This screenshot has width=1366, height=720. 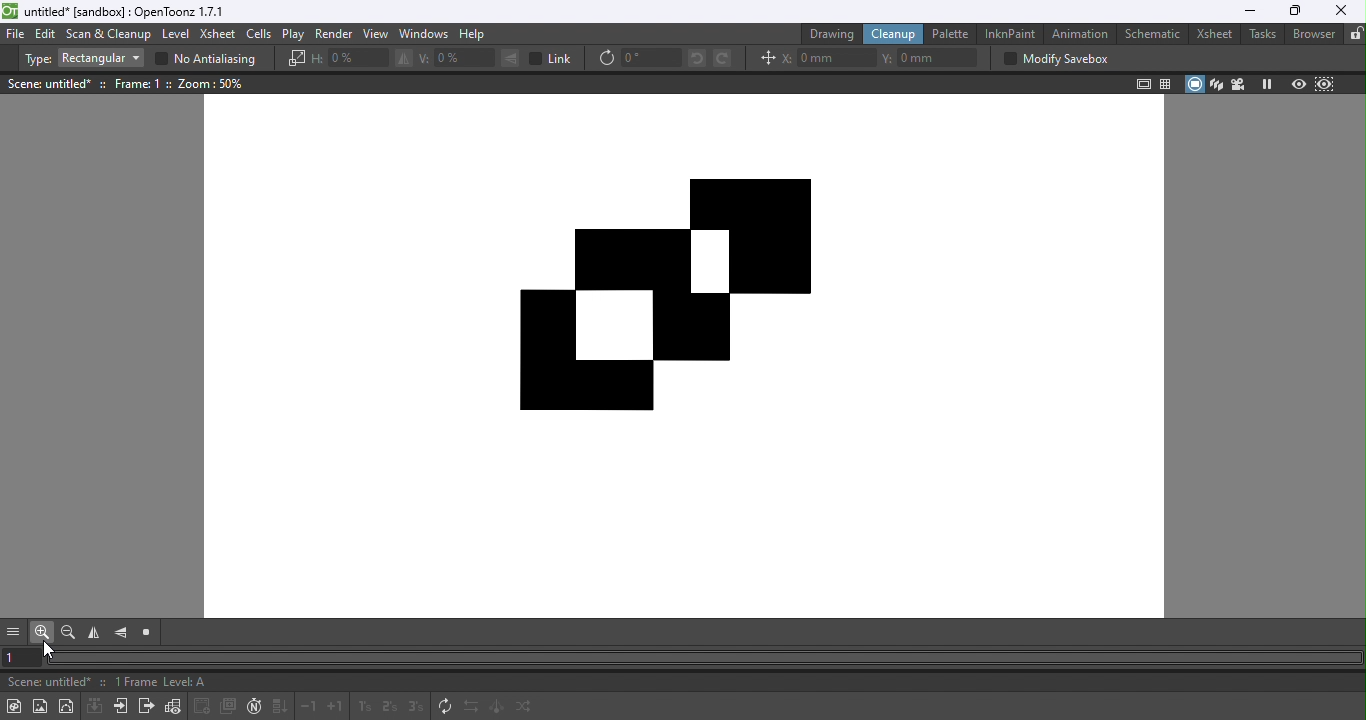 What do you see at coordinates (427, 35) in the screenshot?
I see `Windows` at bounding box center [427, 35].